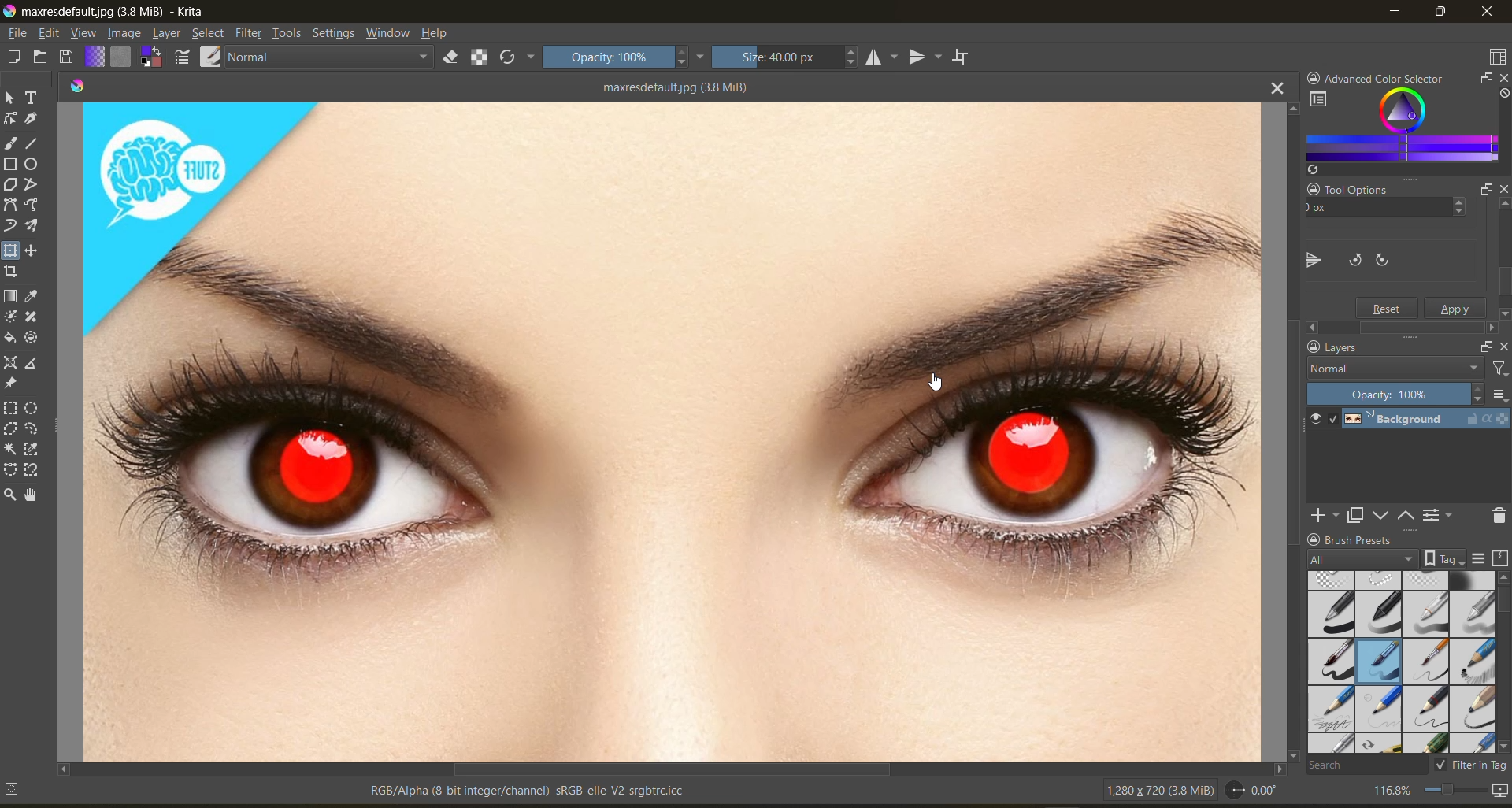  I want to click on tool, so click(11, 164).